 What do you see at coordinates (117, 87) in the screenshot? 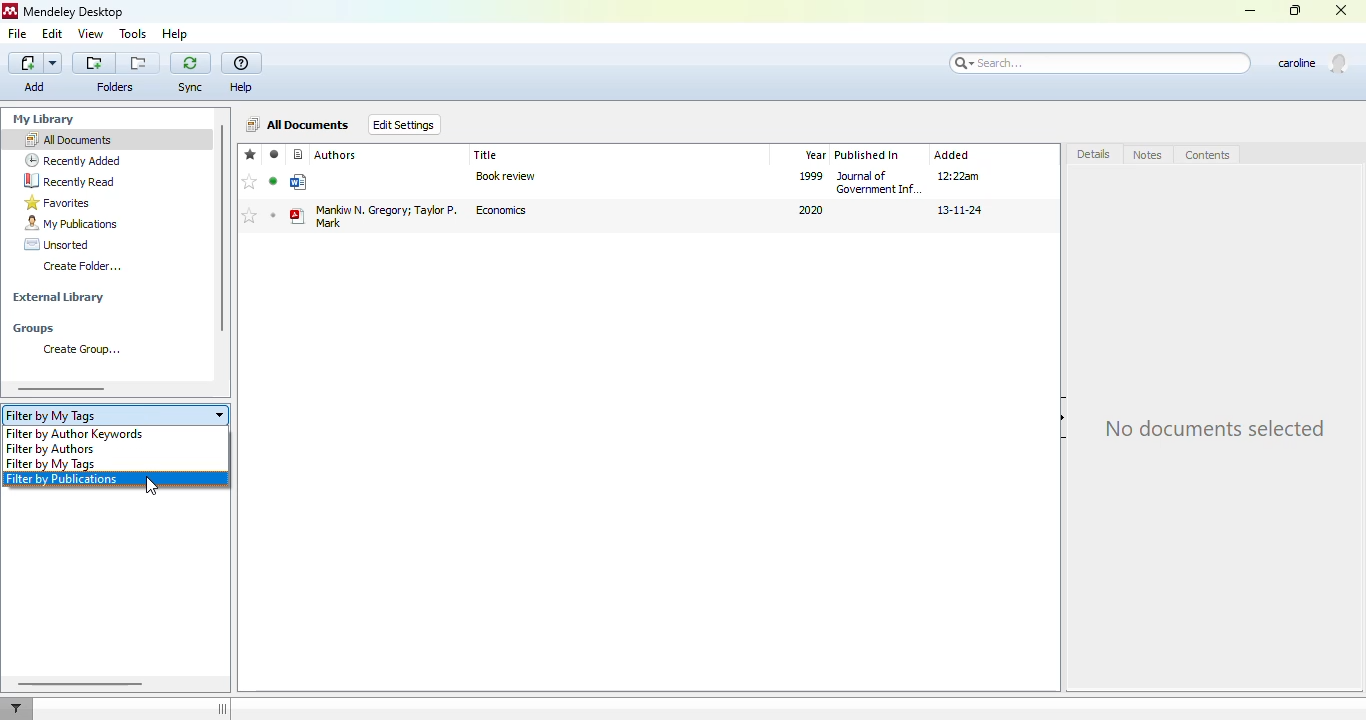
I see `folders` at bounding box center [117, 87].